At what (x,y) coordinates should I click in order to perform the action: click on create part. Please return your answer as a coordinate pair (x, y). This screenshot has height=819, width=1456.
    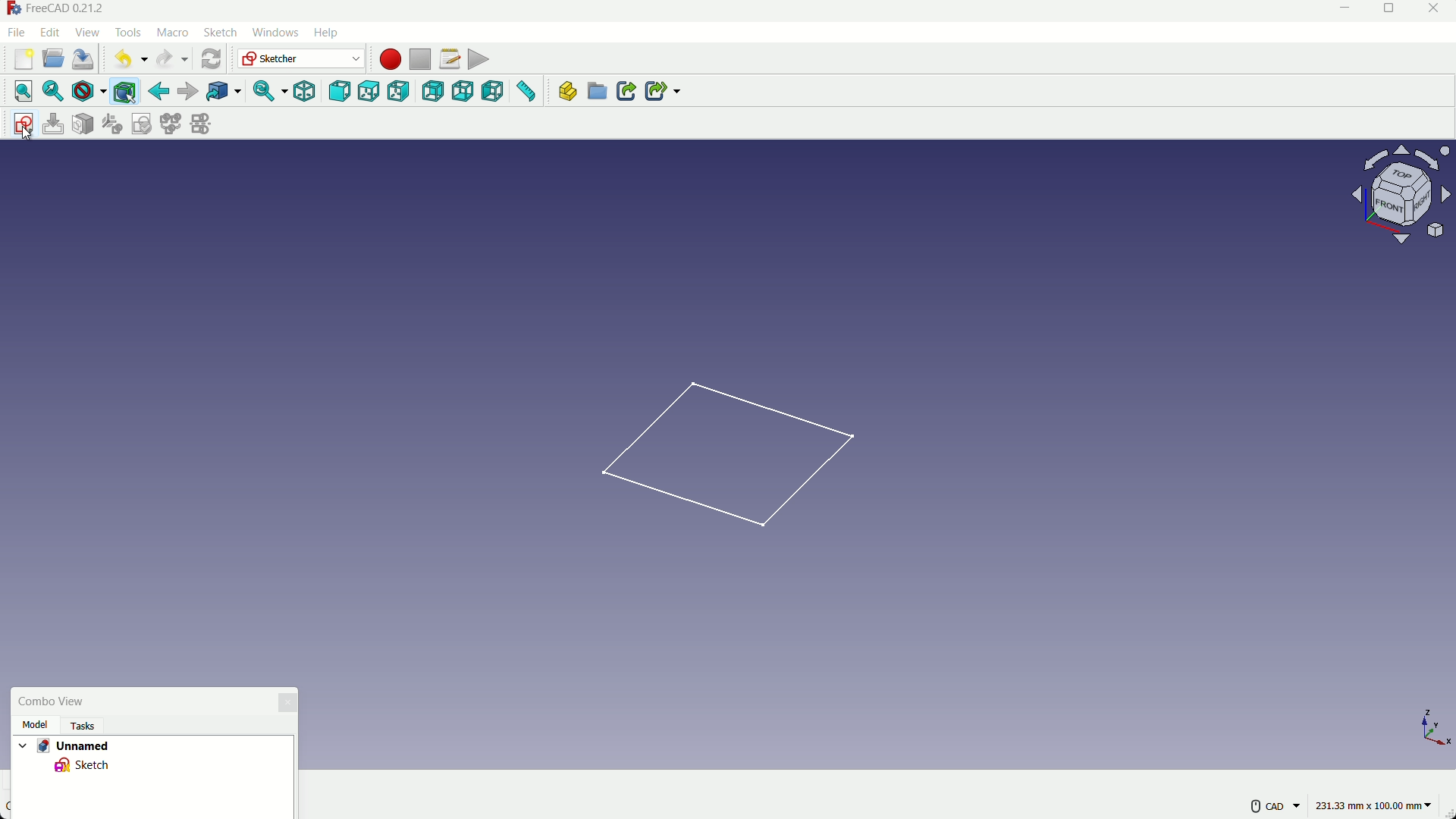
    Looking at the image, I should click on (567, 91).